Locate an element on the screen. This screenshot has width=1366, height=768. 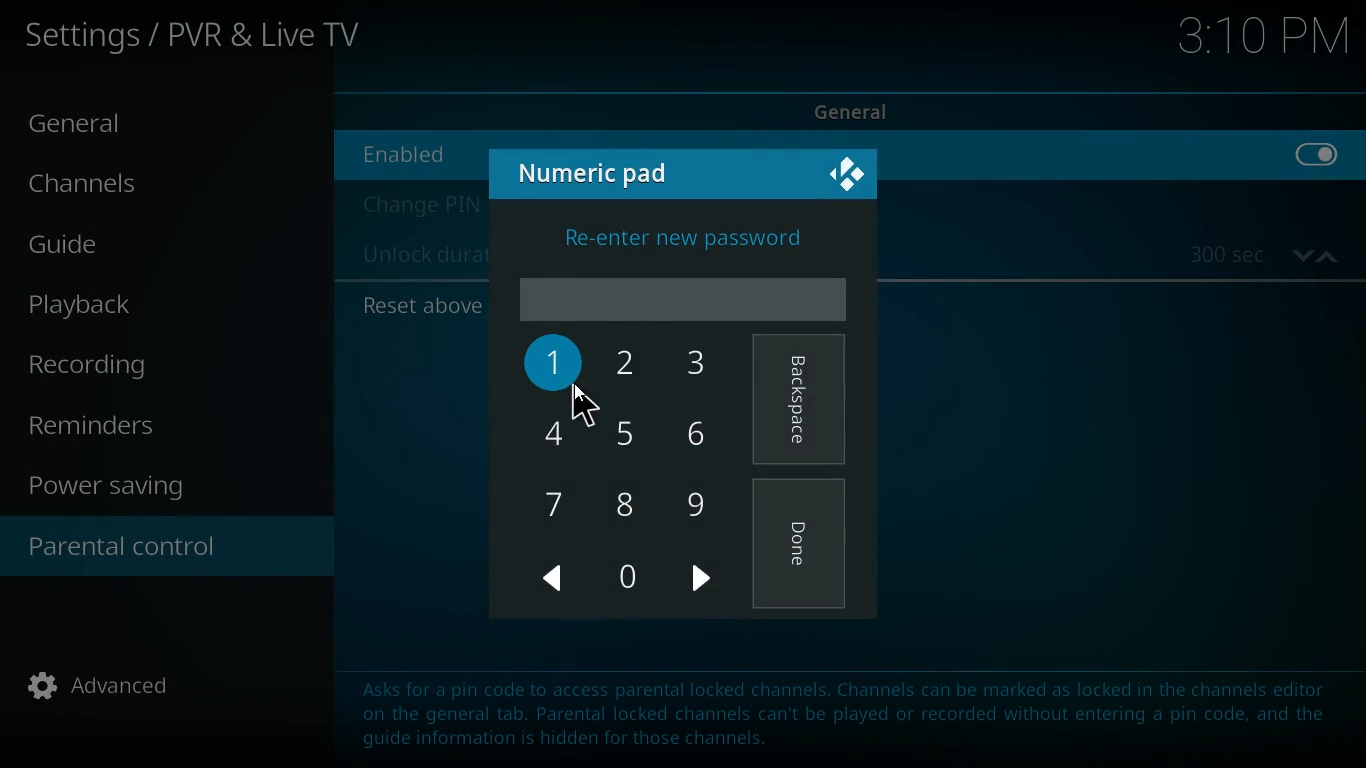
backspace is located at coordinates (801, 402).